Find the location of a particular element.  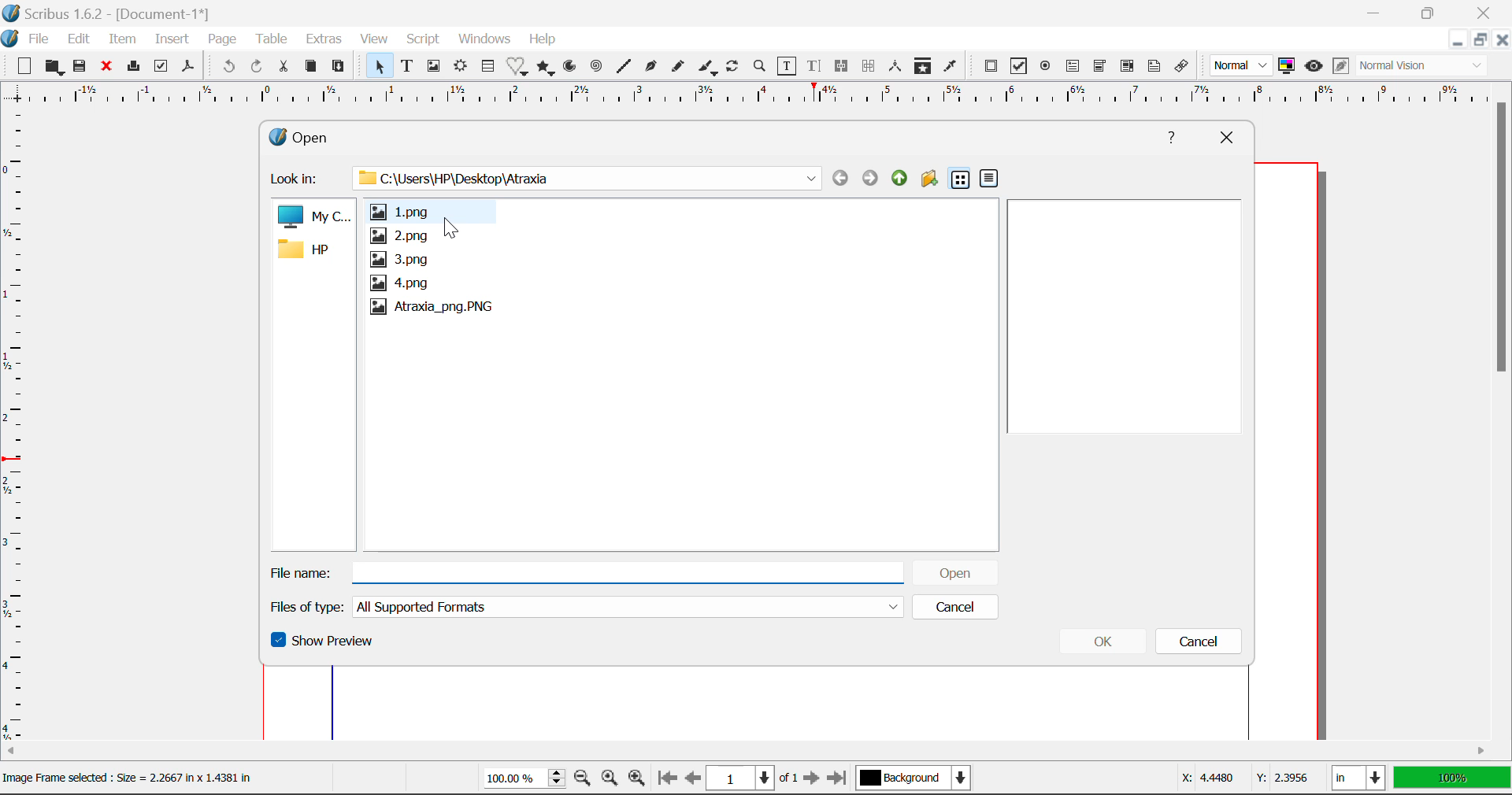

Pdf Combobox is located at coordinates (1101, 68).